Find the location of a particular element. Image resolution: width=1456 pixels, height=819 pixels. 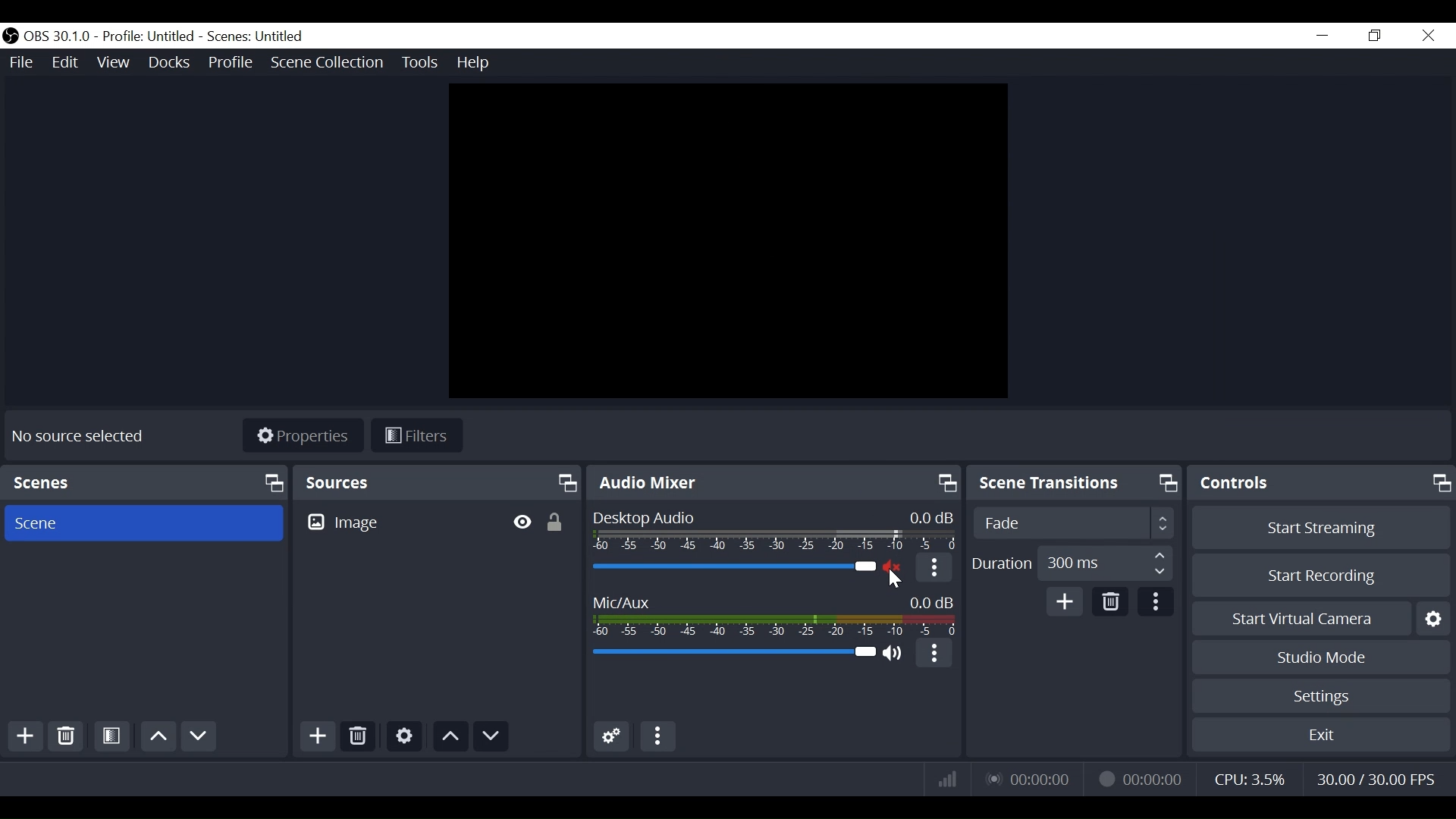

Scene Name is located at coordinates (260, 36).